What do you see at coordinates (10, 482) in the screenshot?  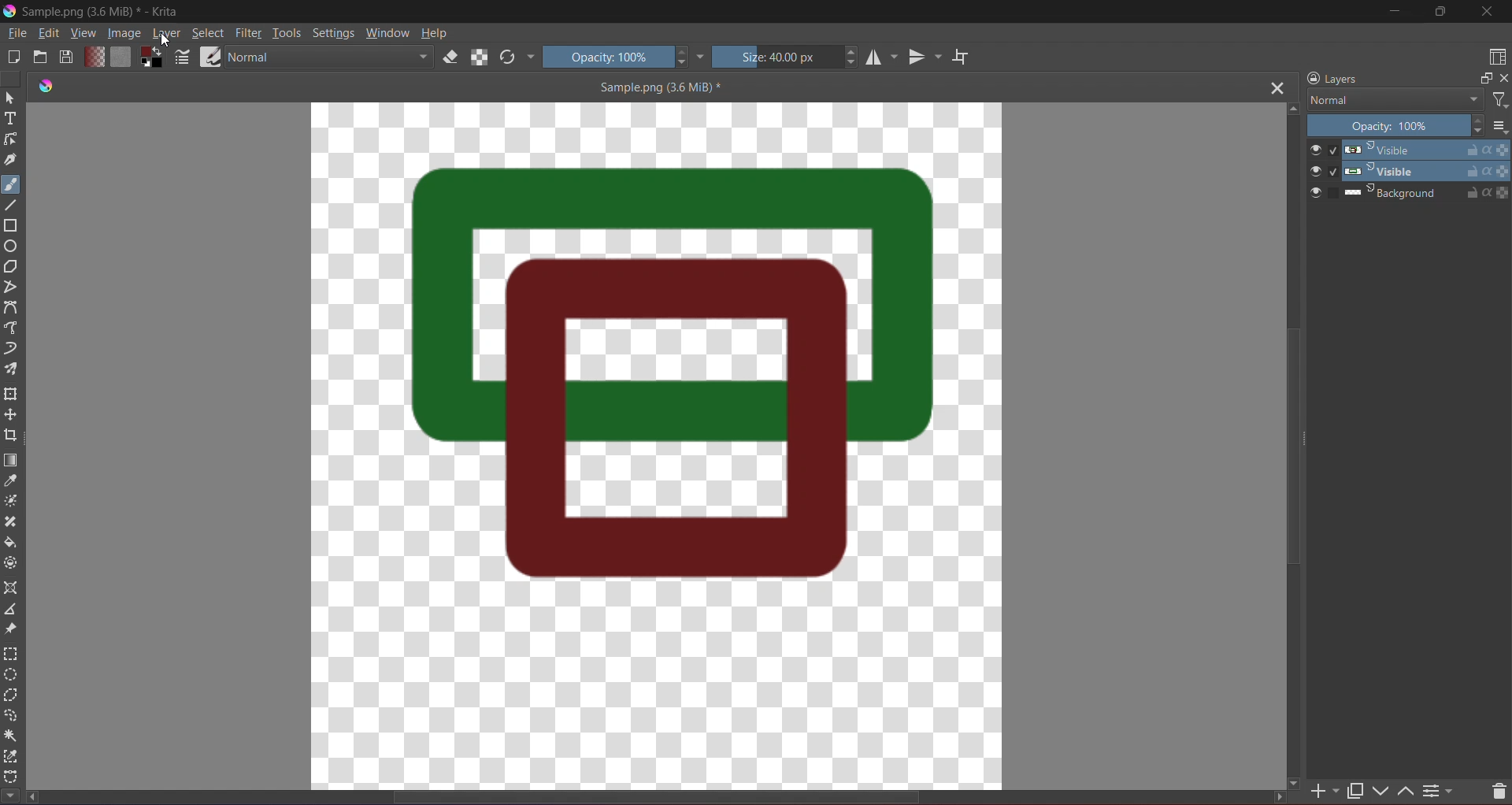 I see `Sample a color` at bounding box center [10, 482].